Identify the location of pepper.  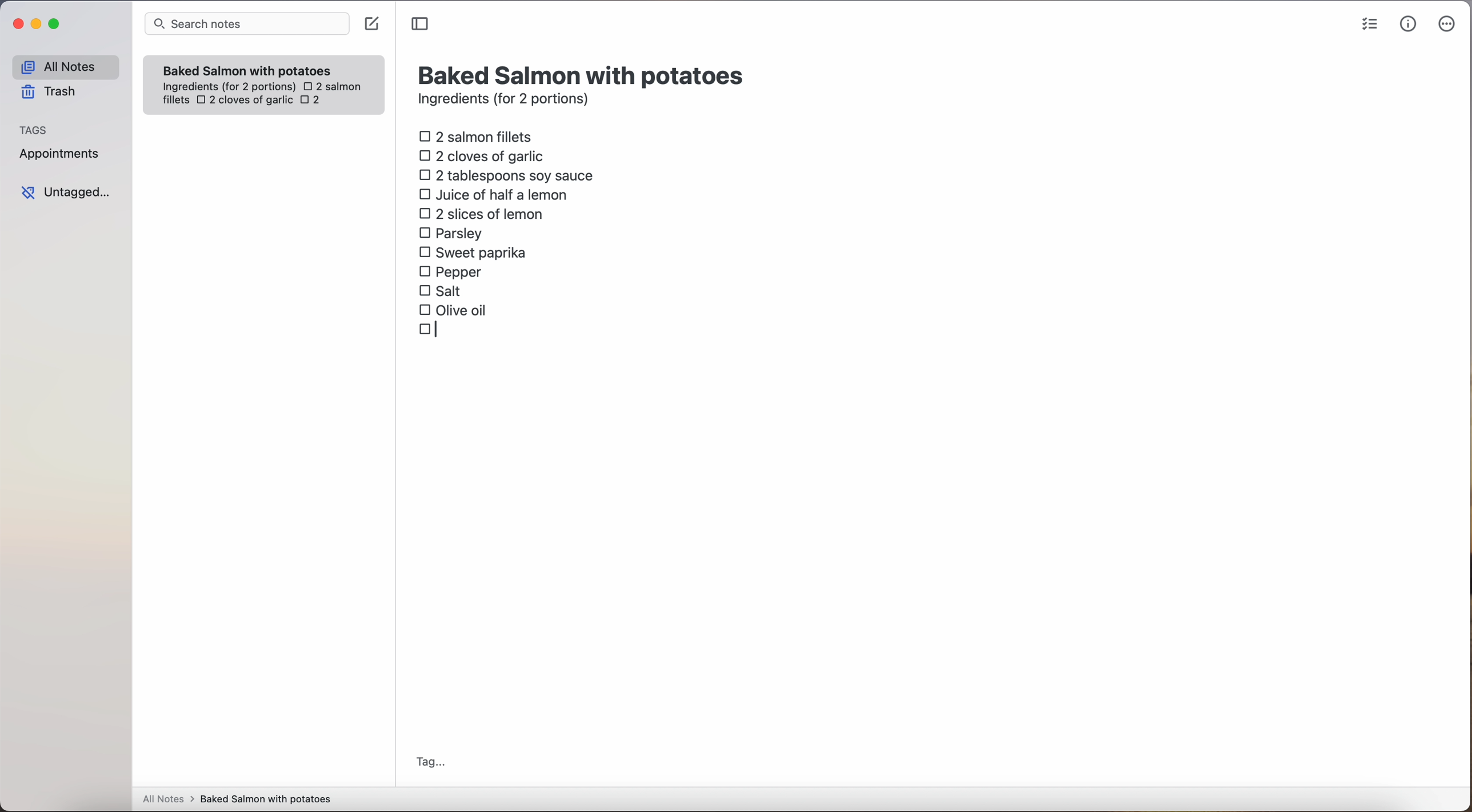
(453, 271).